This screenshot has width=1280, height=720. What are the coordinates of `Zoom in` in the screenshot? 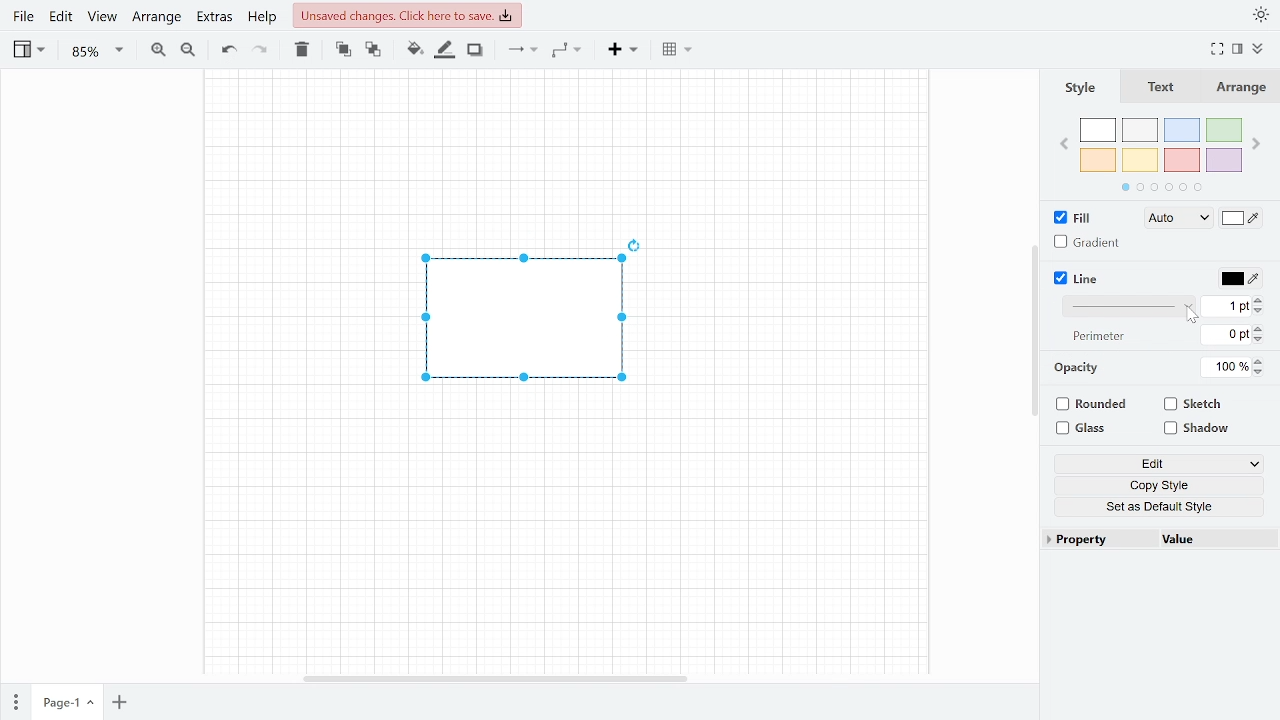 It's located at (158, 50).